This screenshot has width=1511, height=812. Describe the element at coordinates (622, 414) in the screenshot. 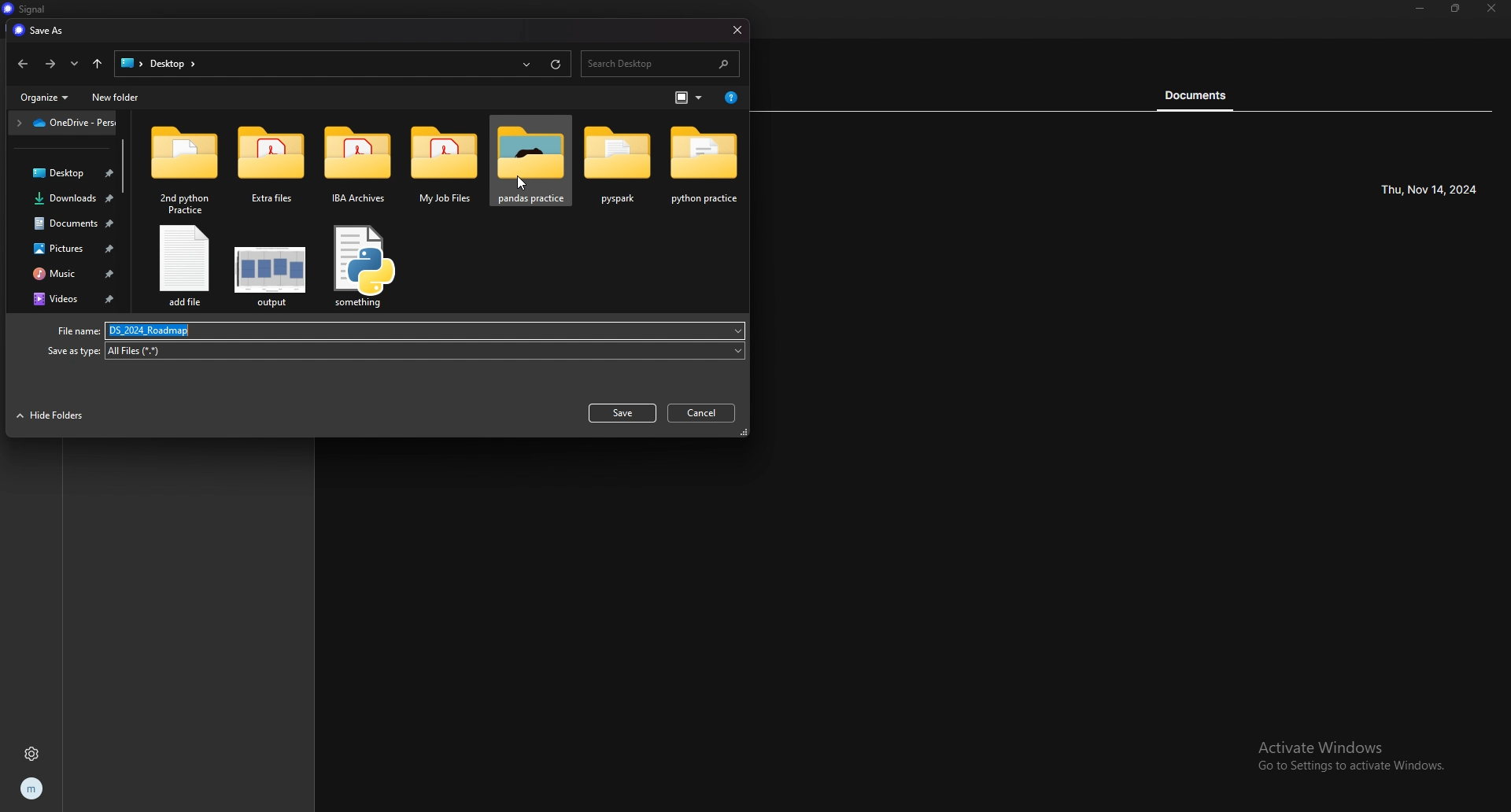

I see `save` at that location.